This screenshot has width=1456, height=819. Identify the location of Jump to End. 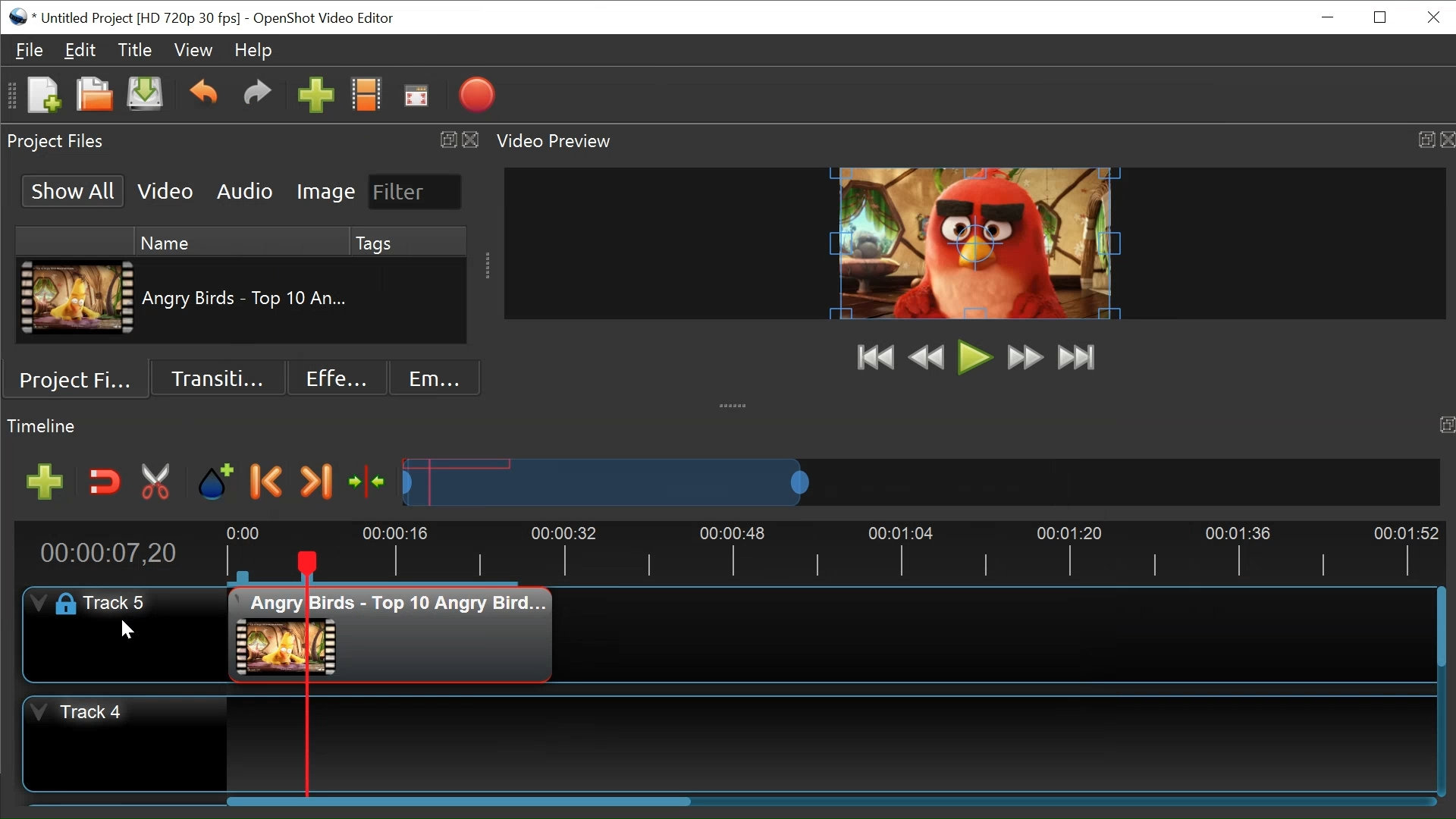
(1076, 358).